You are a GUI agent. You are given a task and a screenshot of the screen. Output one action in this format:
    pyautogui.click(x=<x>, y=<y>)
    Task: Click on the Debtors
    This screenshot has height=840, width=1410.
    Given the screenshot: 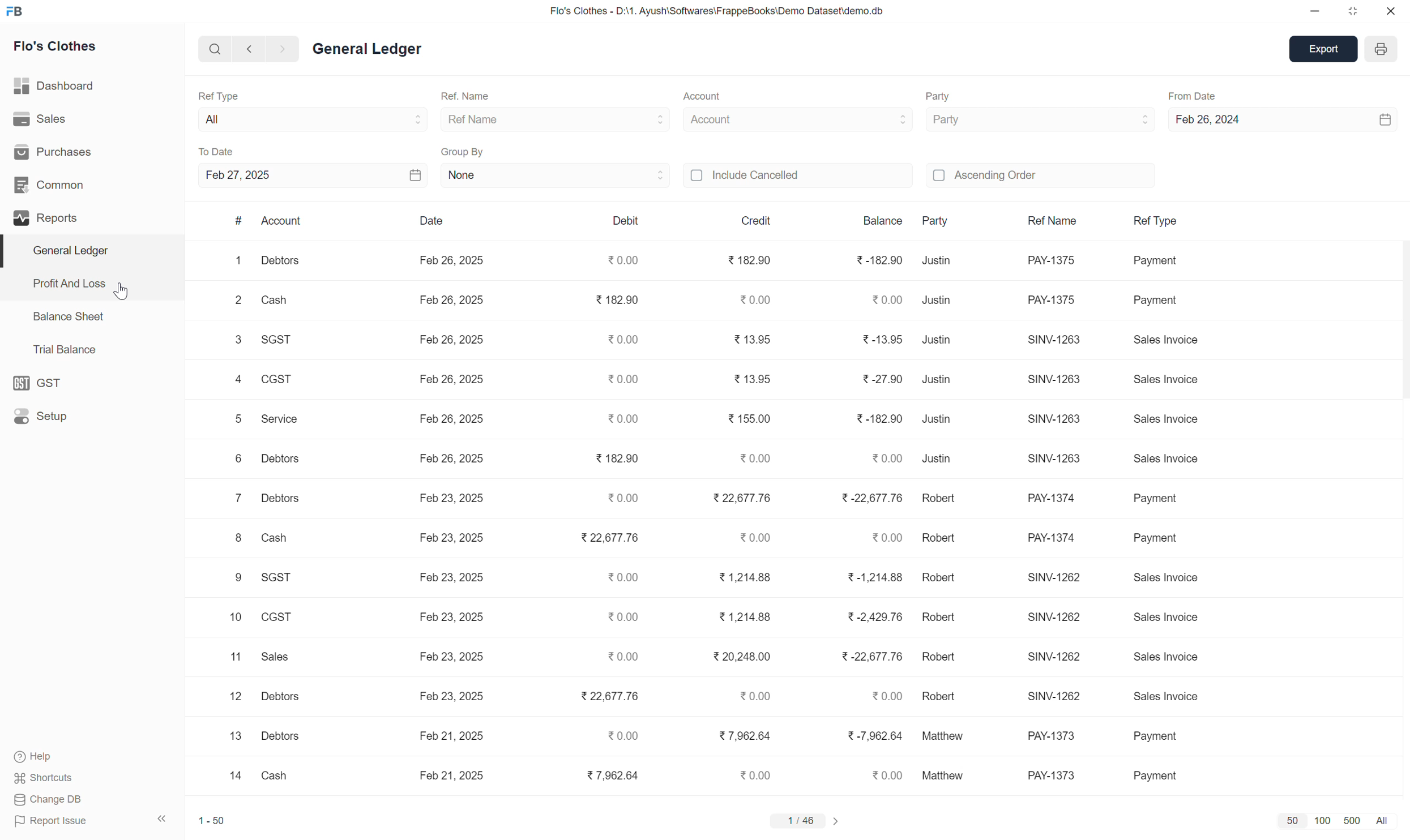 What is the action you would take?
    pyautogui.click(x=285, y=266)
    